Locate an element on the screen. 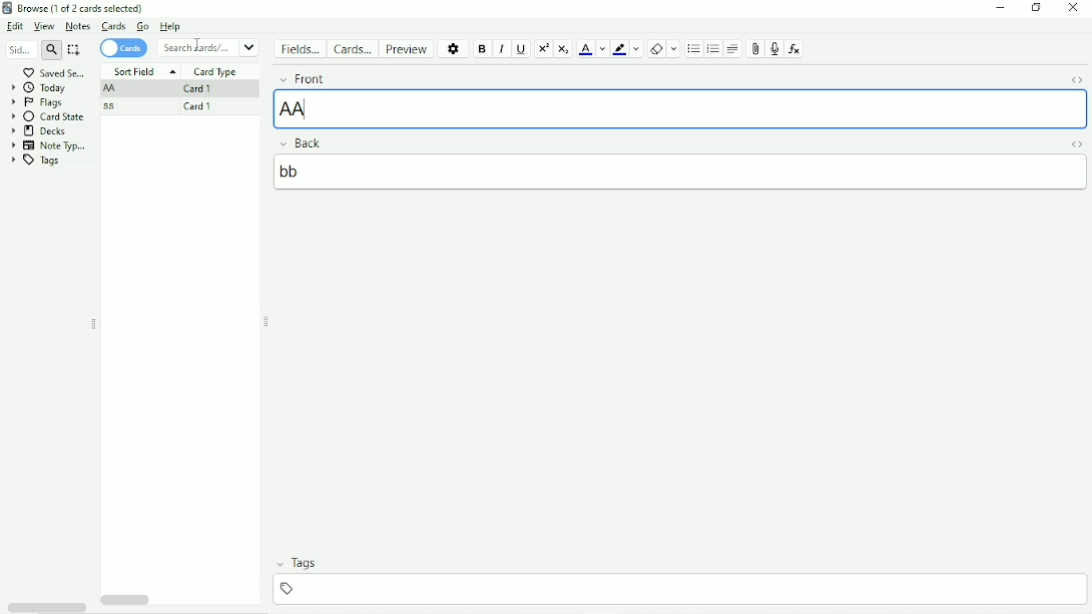 The image size is (1092, 614). Back is located at coordinates (658, 143).